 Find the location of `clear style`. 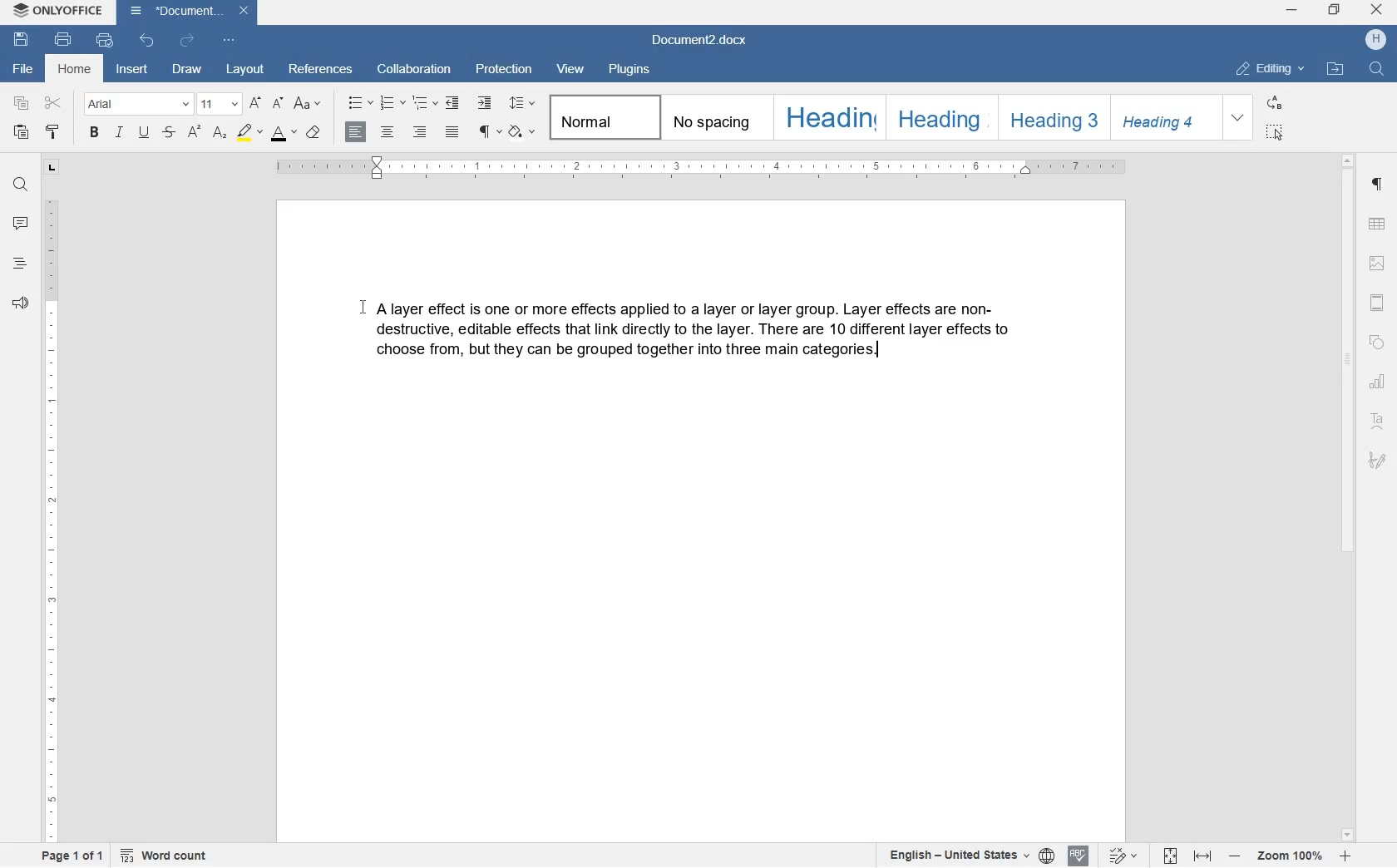

clear style is located at coordinates (312, 133).